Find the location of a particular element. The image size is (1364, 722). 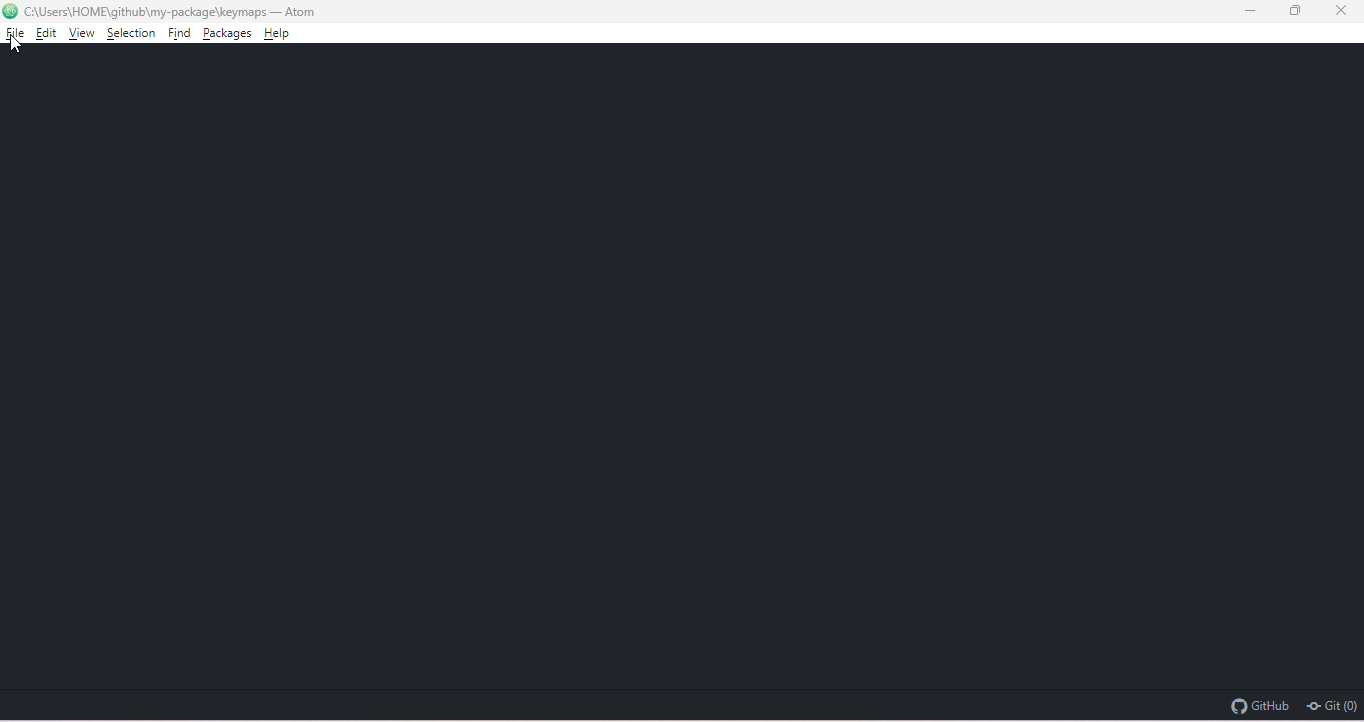

selection is located at coordinates (134, 33).